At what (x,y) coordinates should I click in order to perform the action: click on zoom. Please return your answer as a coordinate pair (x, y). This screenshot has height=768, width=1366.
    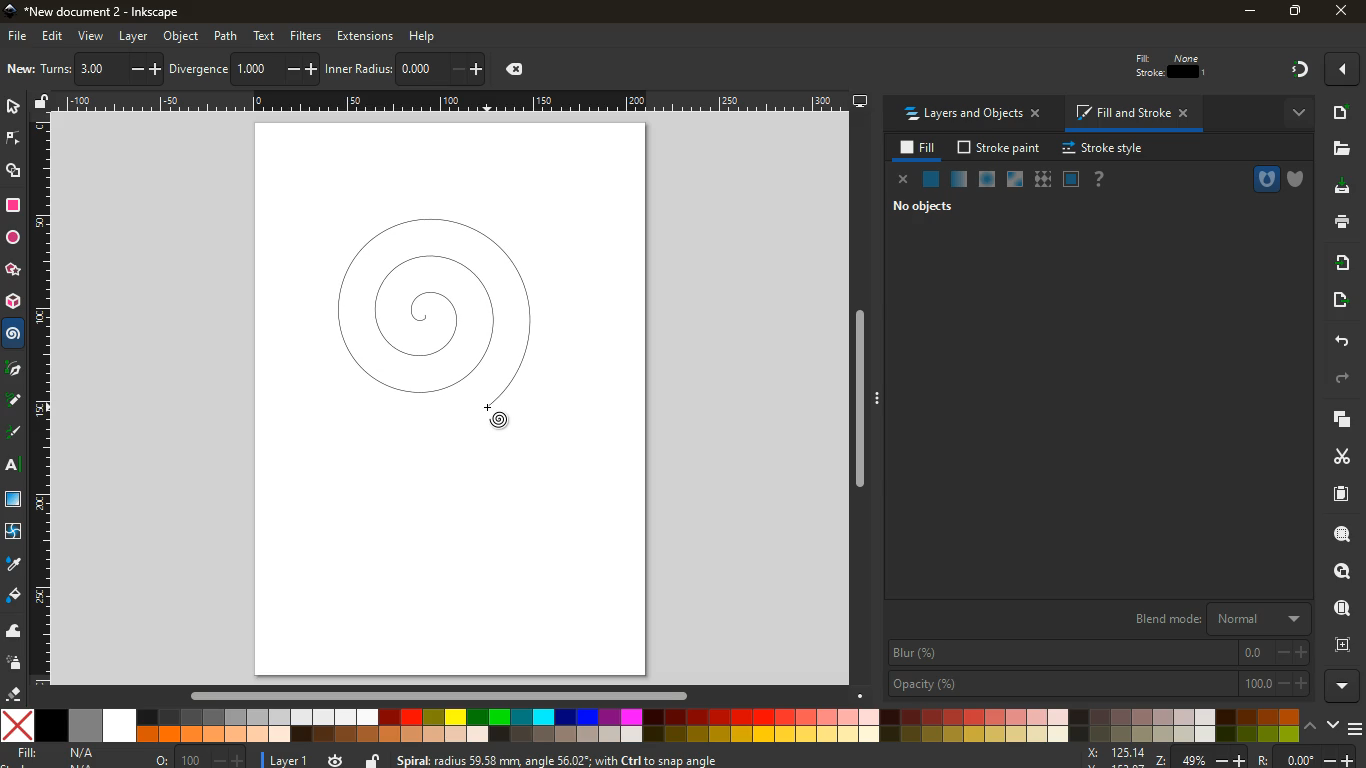
    Looking at the image, I should click on (1226, 756).